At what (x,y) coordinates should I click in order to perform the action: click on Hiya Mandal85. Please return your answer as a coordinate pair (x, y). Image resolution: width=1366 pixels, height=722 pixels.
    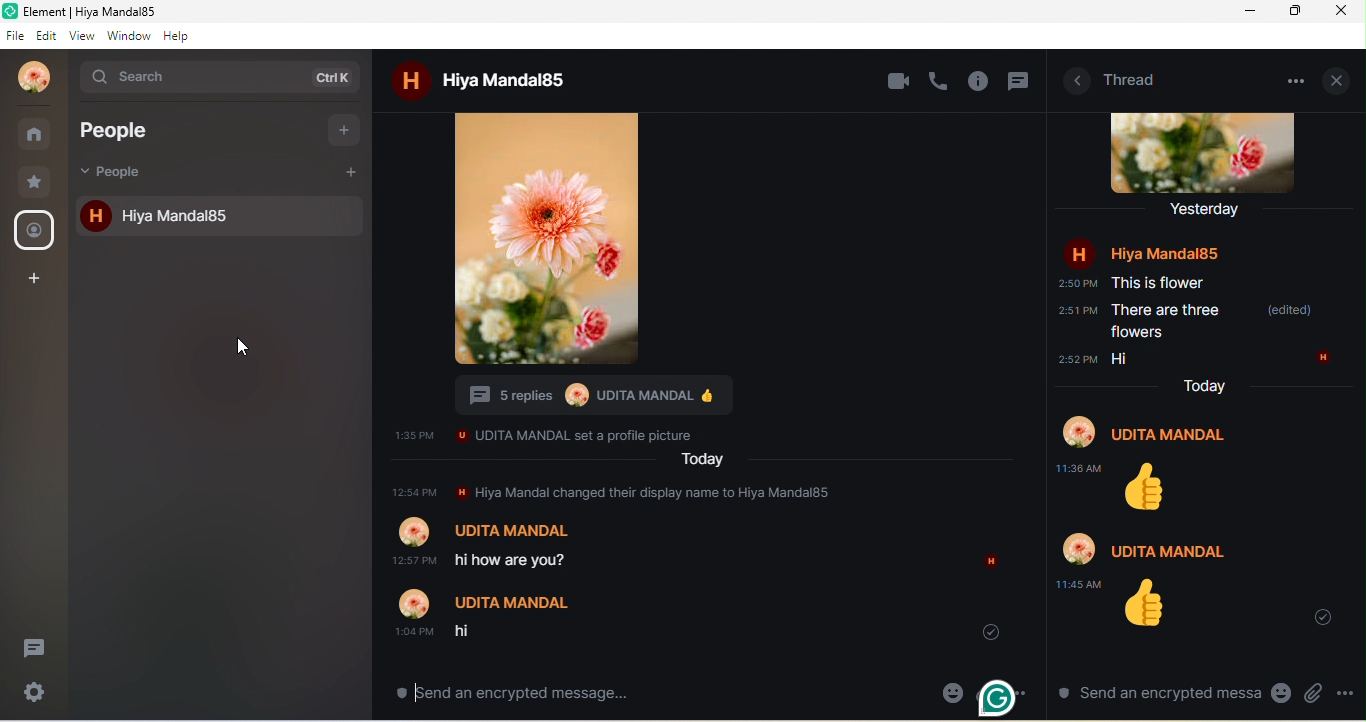
    Looking at the image, I should click on (1164, 254).